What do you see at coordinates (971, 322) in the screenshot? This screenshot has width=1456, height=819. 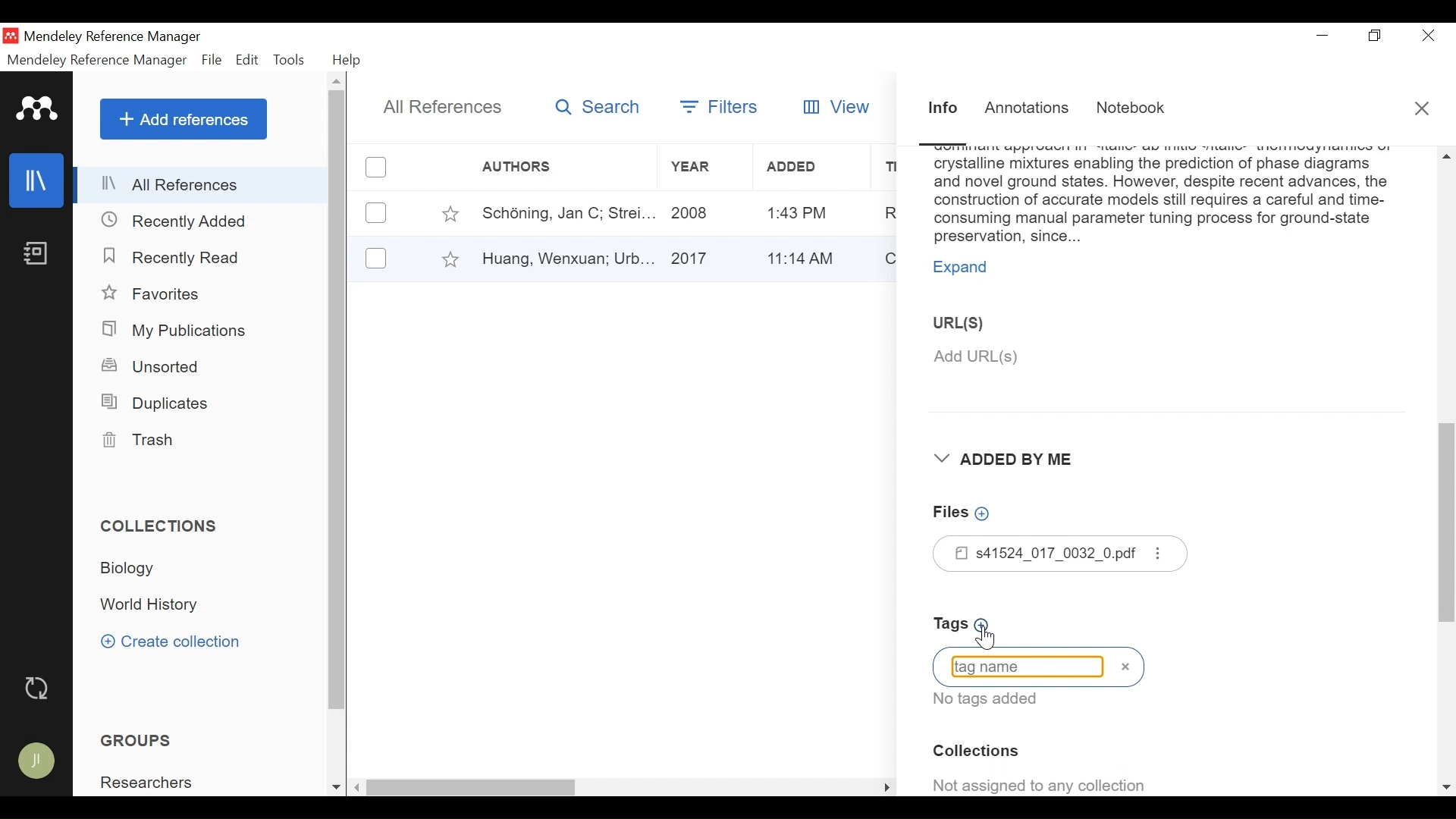 I see `URL(S)` at bounding box center [971, 322].